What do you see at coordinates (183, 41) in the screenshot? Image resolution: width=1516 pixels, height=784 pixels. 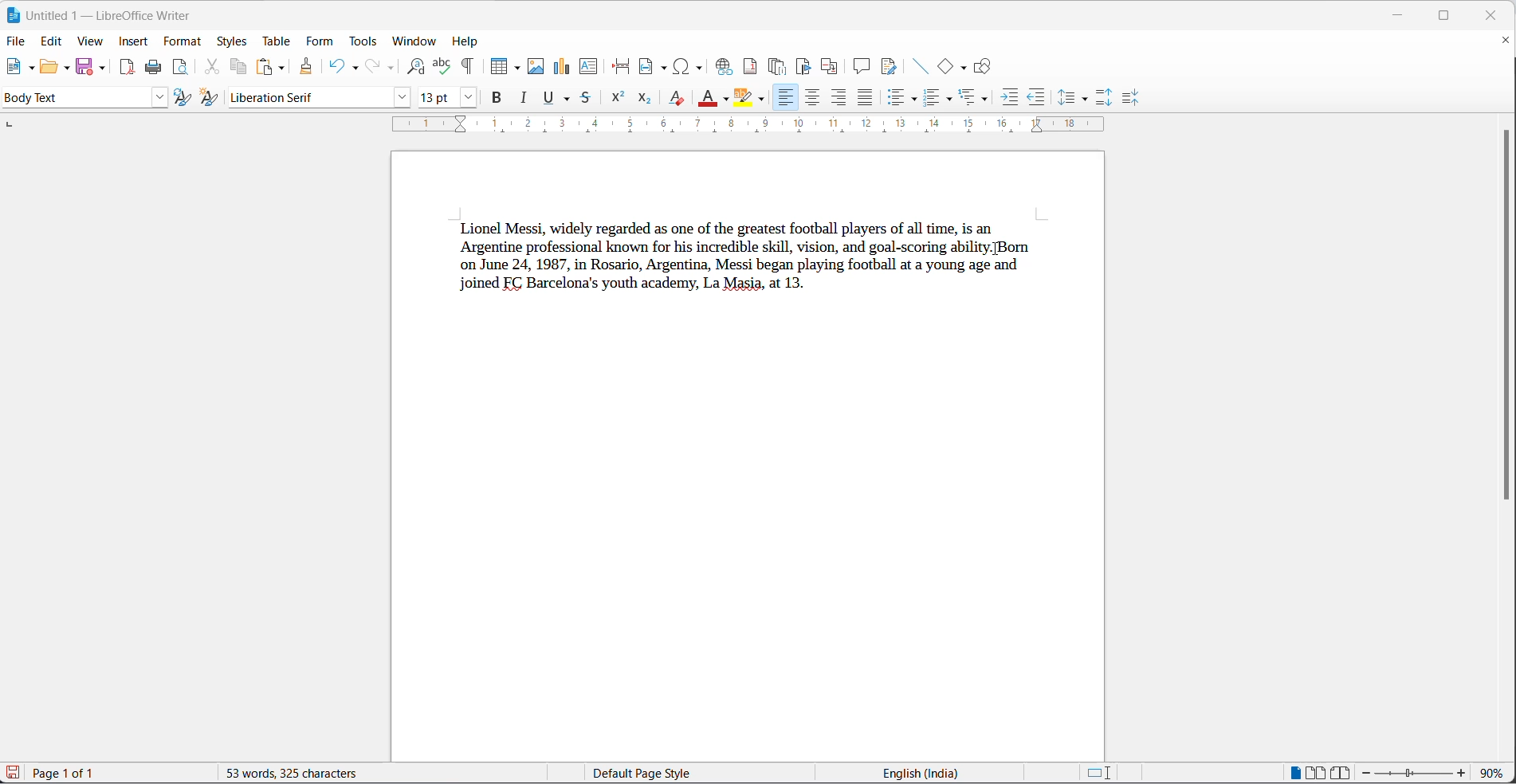 I see `format` at bounding box center [183, 41].